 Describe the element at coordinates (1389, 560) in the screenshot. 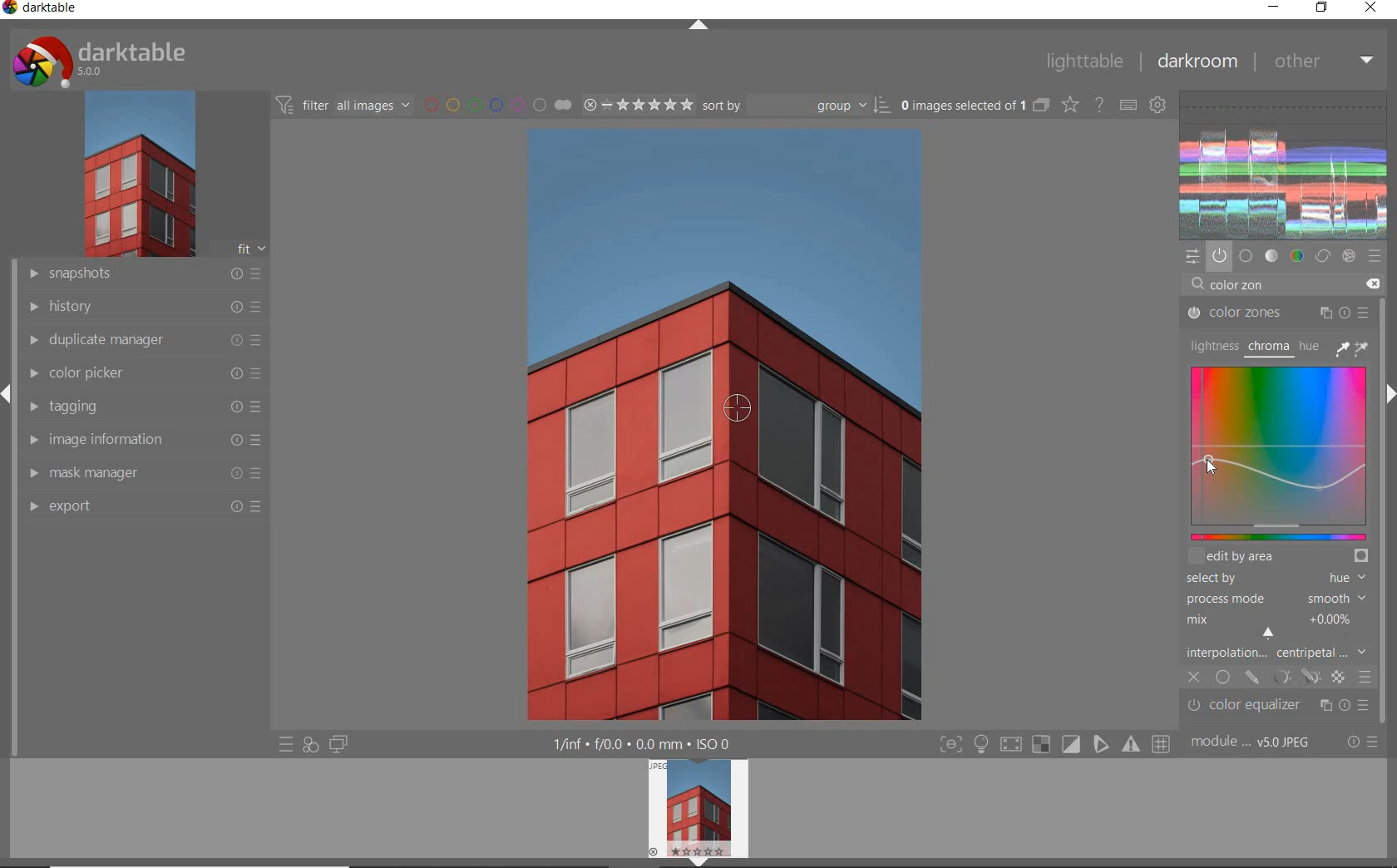

I see `scrollbar` at that location.